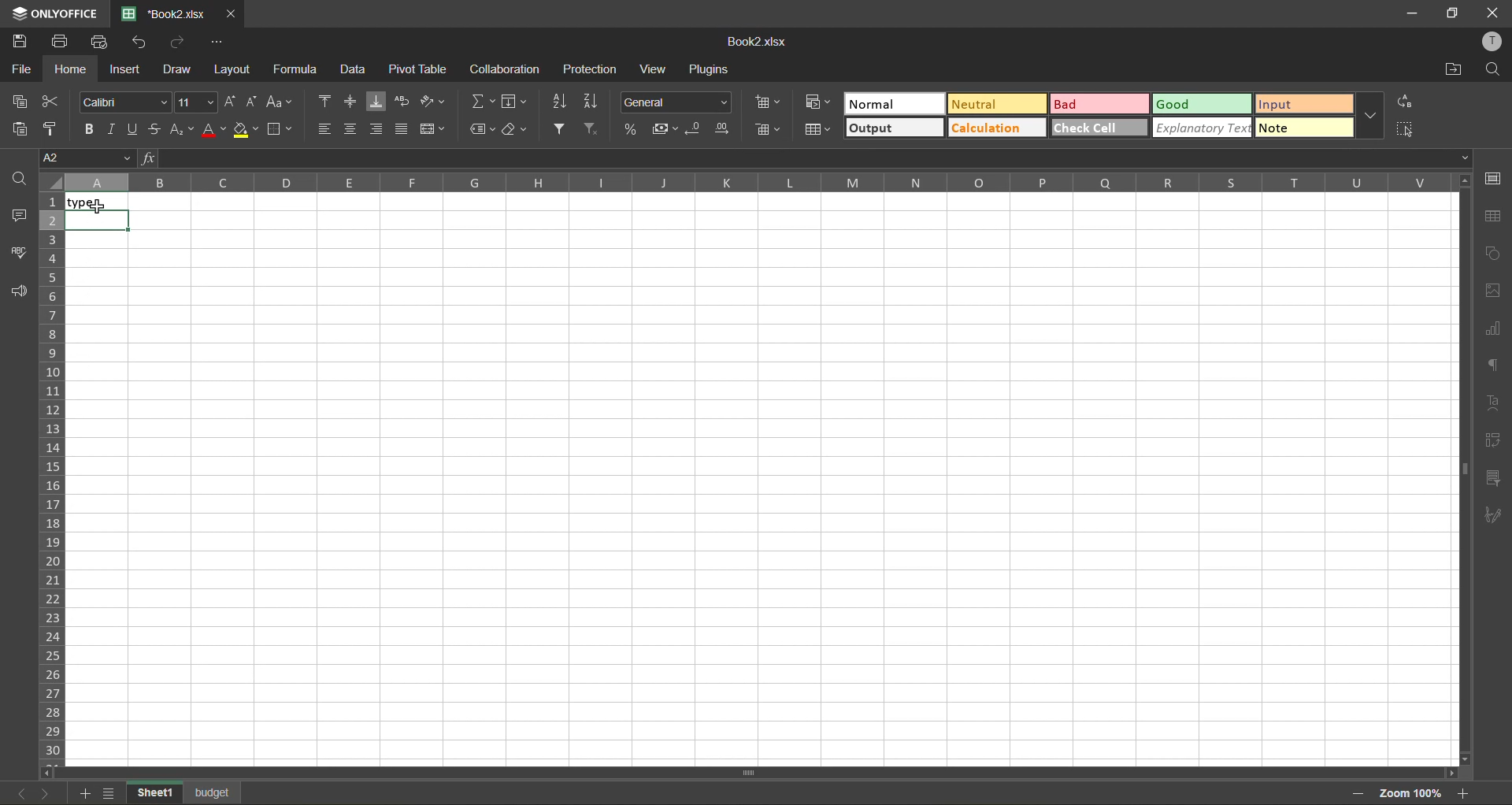 The image size is (1512, 805). I want to click on output, so click(896, 127).